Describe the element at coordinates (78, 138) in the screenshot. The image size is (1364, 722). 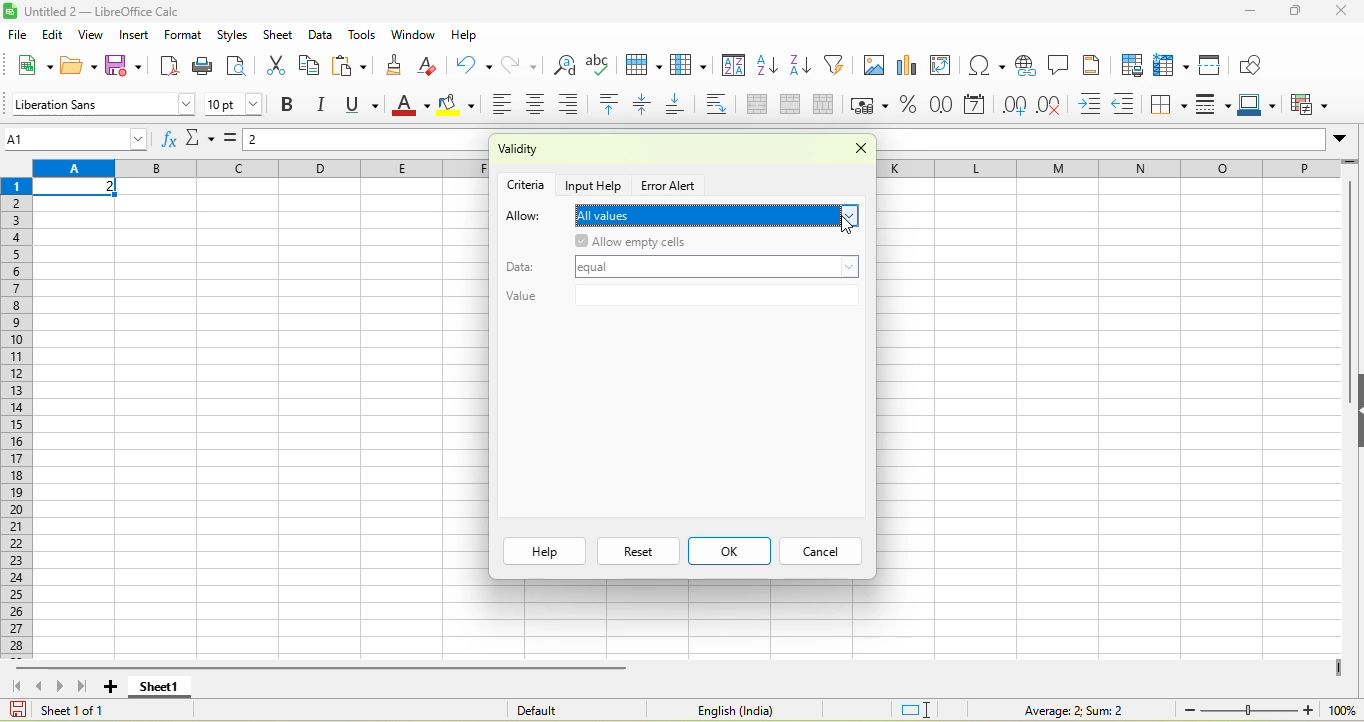
I see `name box` at that location.